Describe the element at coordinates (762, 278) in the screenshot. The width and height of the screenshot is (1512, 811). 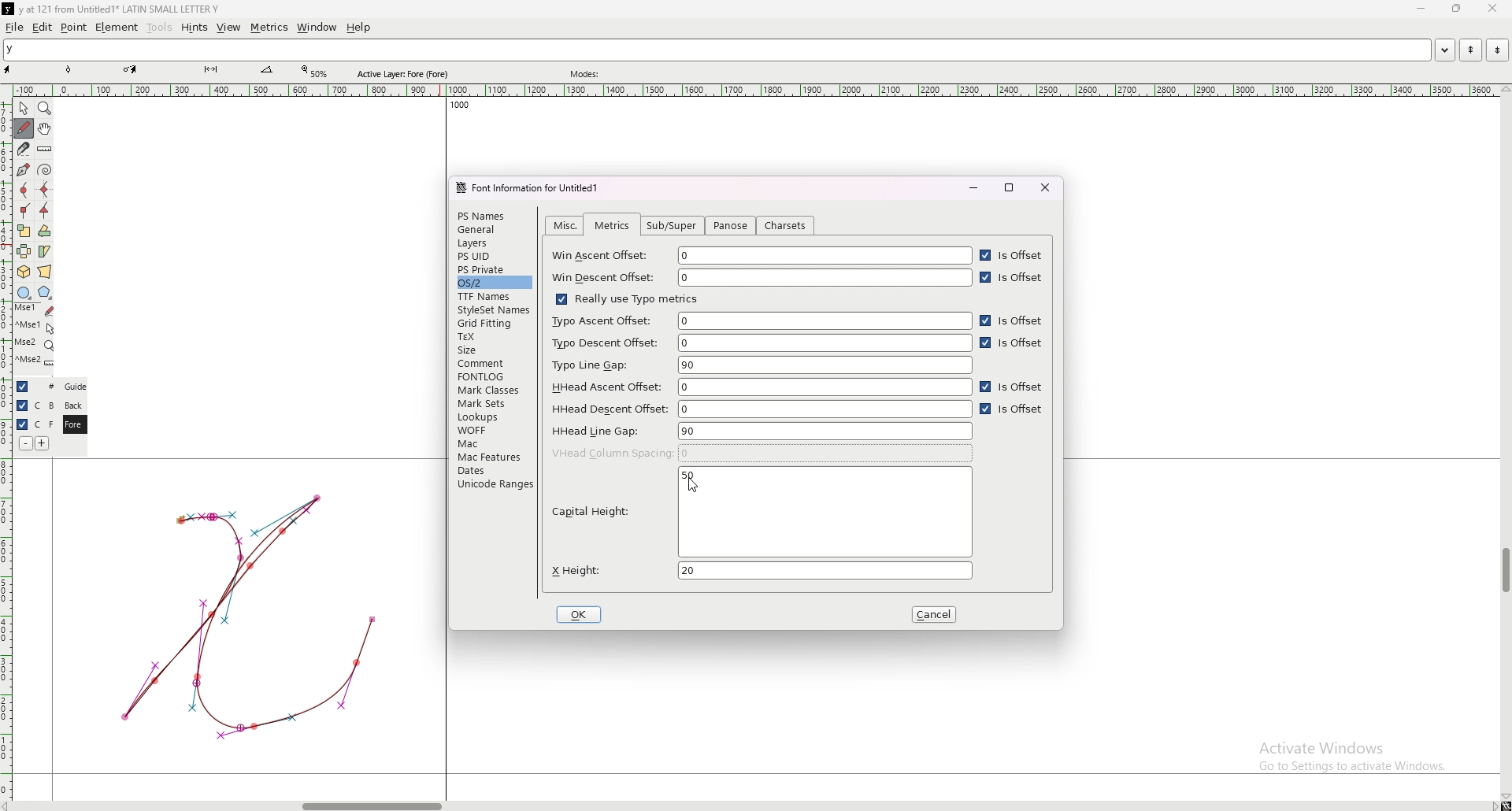
I see `win descent offset 0` at that location.